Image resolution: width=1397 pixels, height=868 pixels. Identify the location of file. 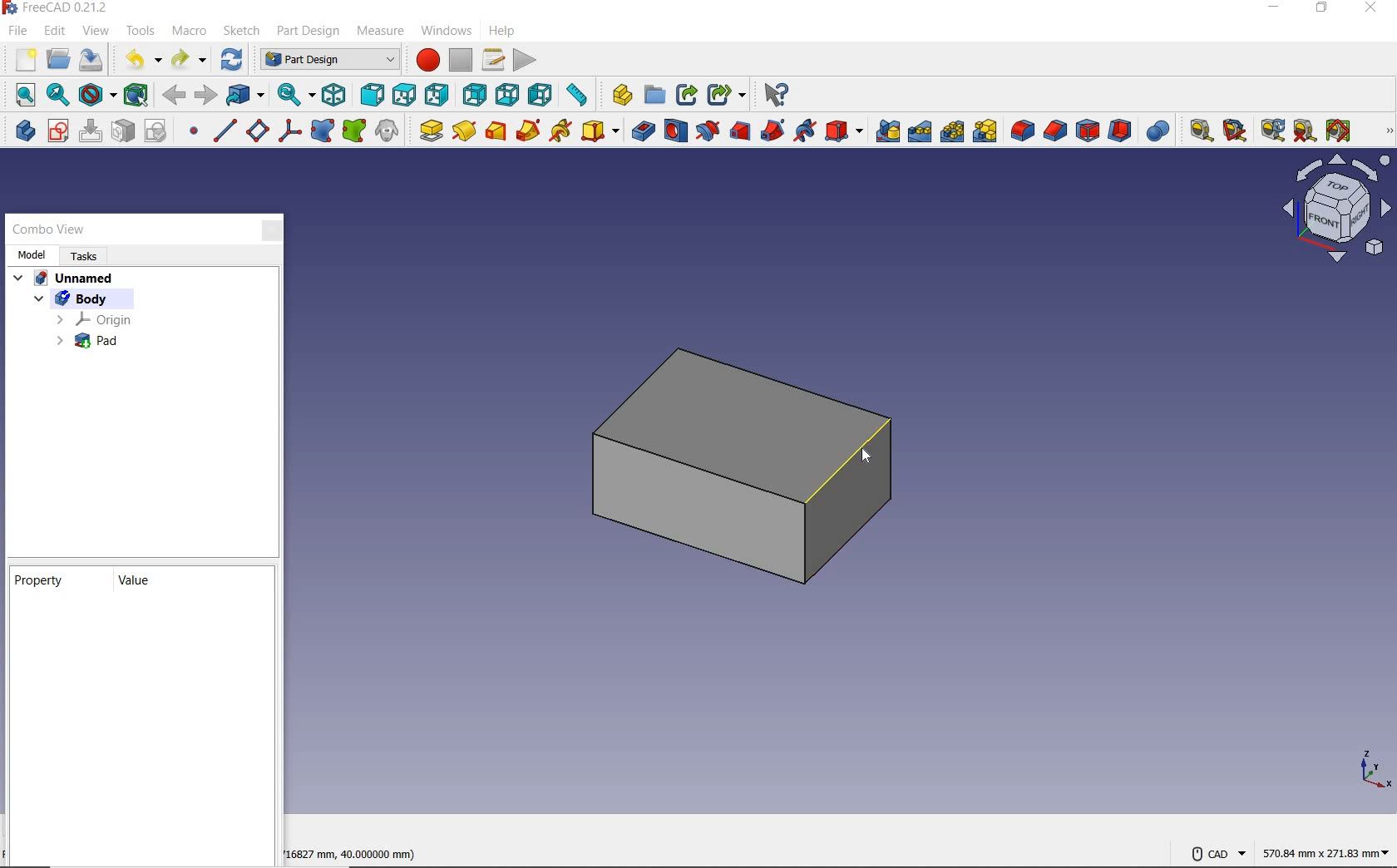
(18, 31).